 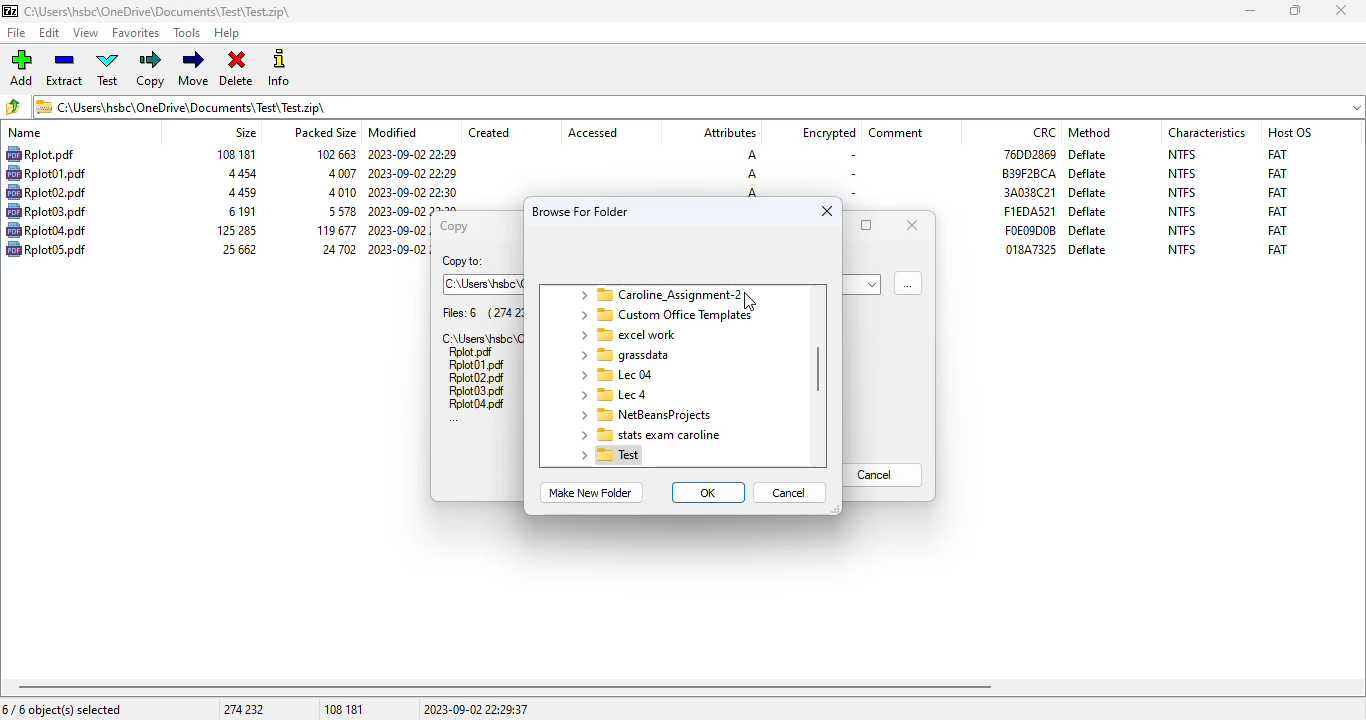 What do you see at coordinates (1181, 249) in the screenshot?
I see `NTFS` at bounding box center [1181, 249].